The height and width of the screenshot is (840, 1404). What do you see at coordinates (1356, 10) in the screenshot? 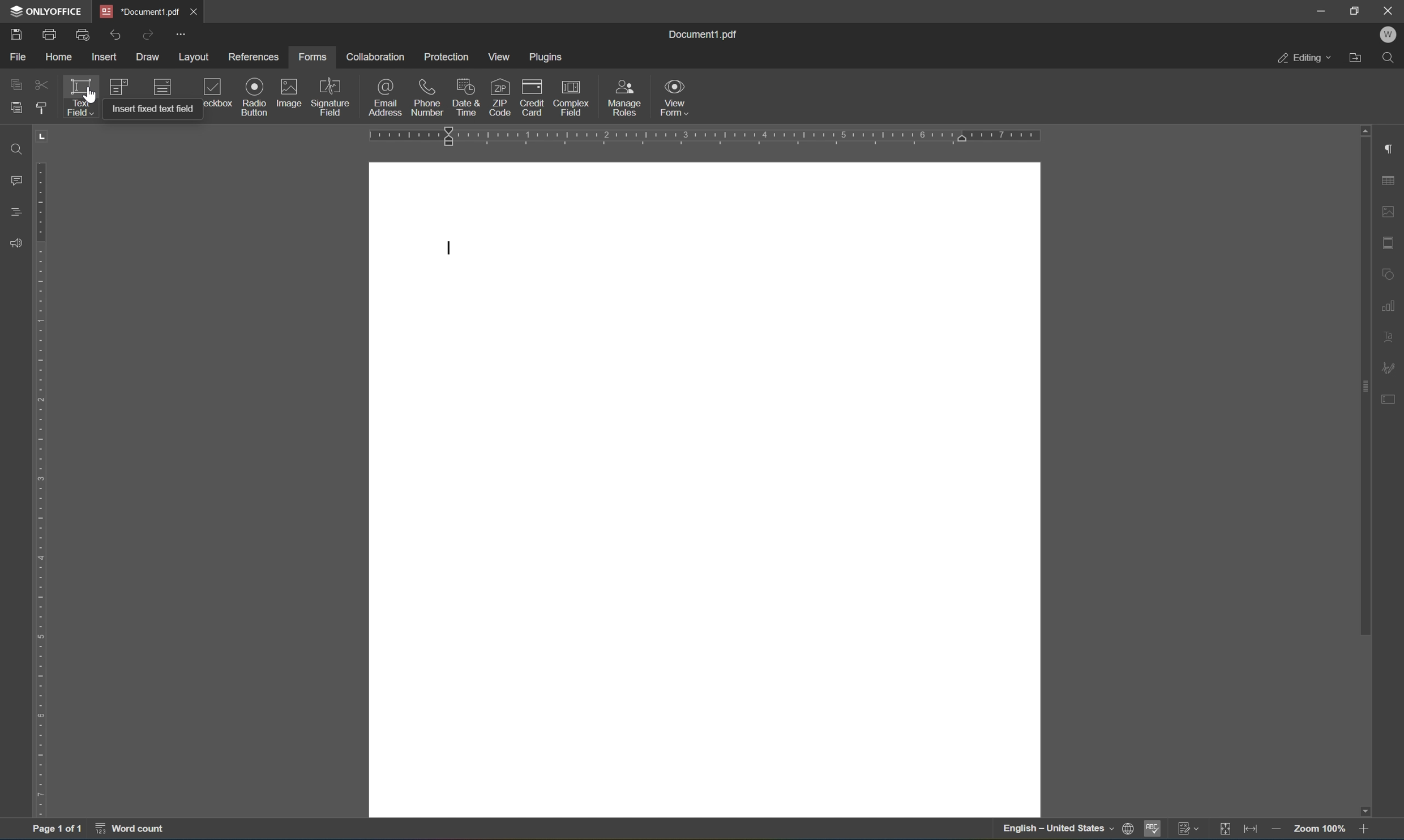
I see `restore down` at bounding box center [1356, 10].